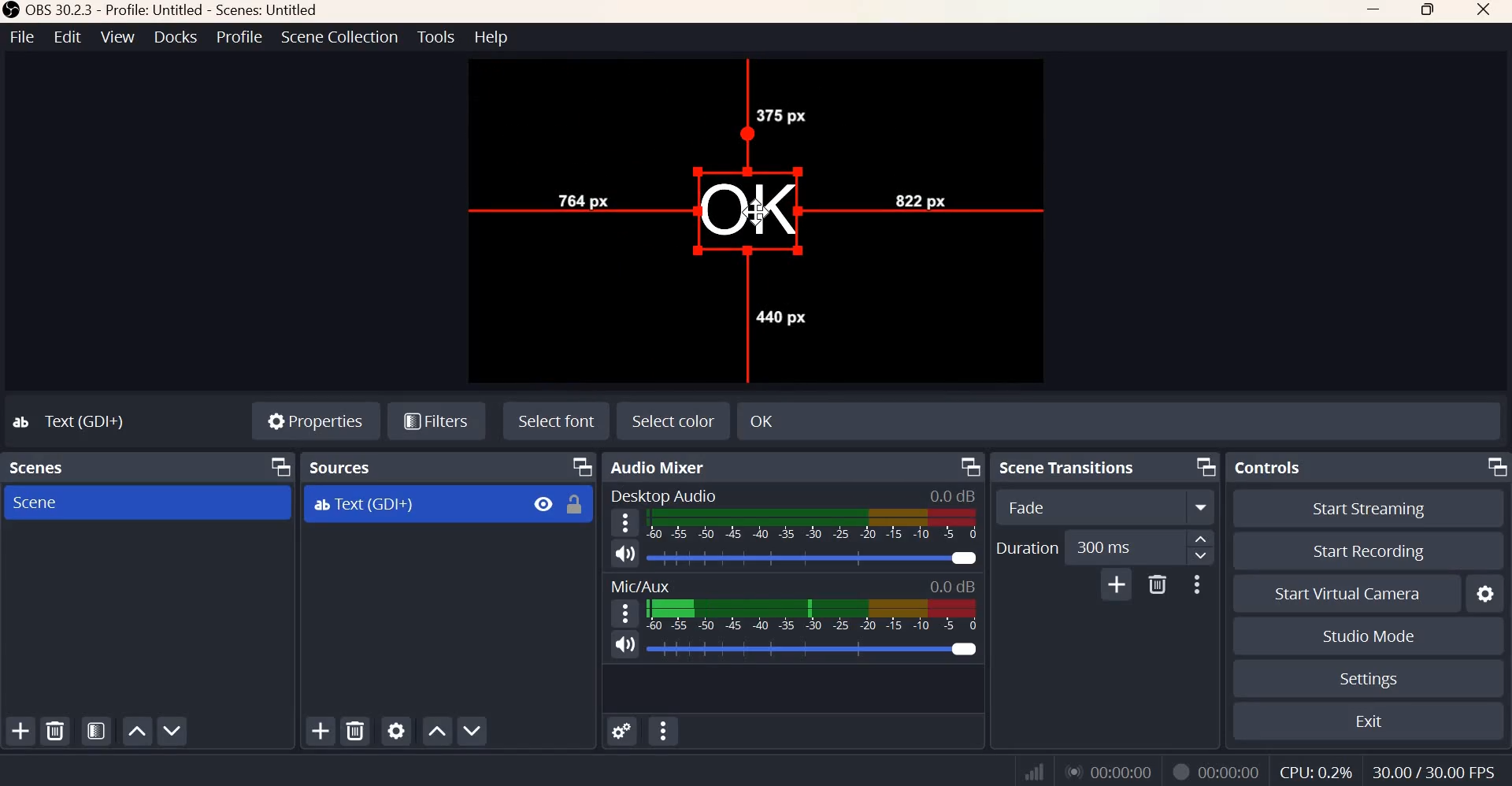 The height and width of the screenshot is (786, 1512). What do you see at coordinates (639, 584) in the screenshot?
I see `Mic/Aux` at bounding box center [639, 584].